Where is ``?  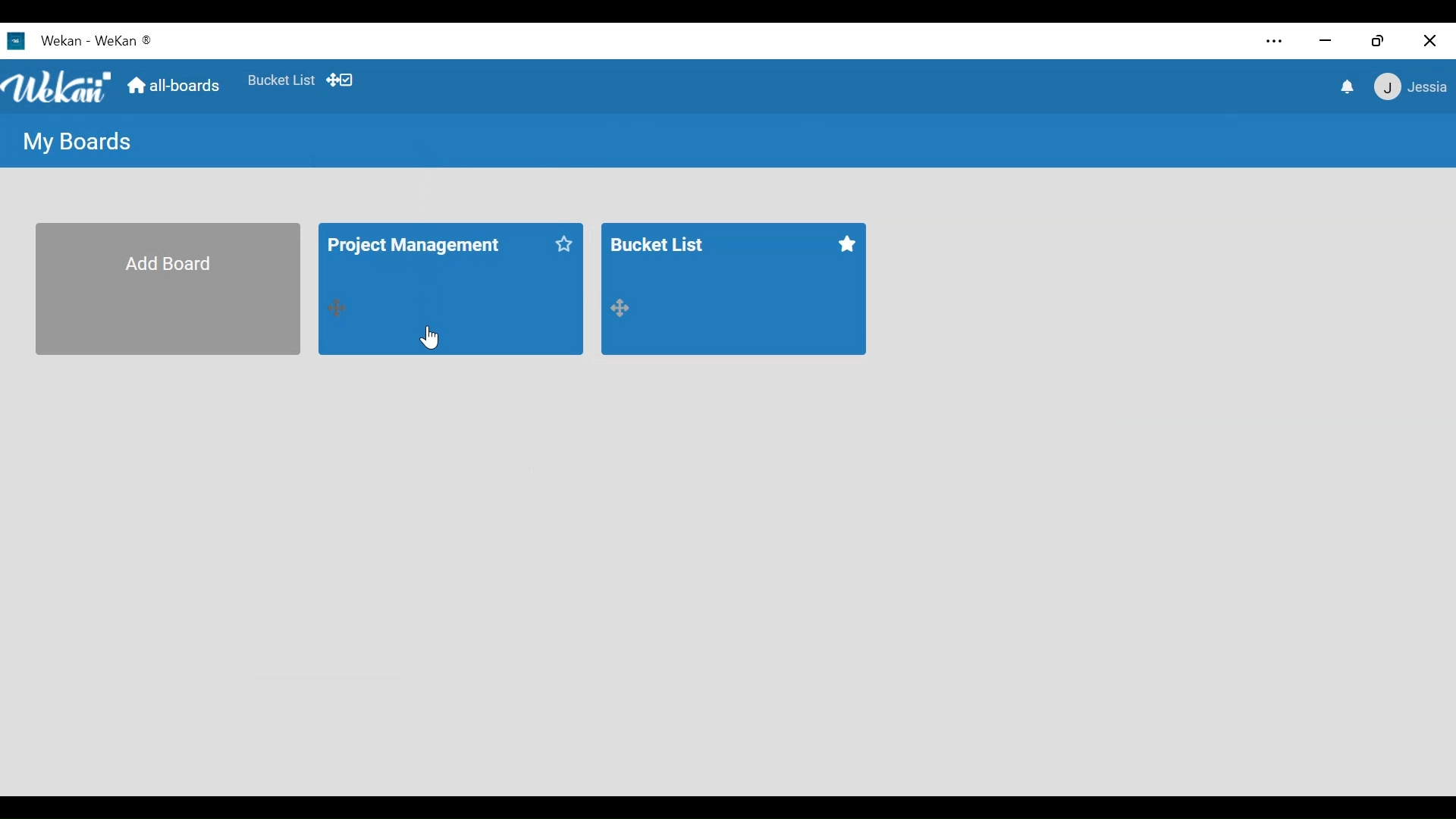
 is located at coordinates (657, 246).